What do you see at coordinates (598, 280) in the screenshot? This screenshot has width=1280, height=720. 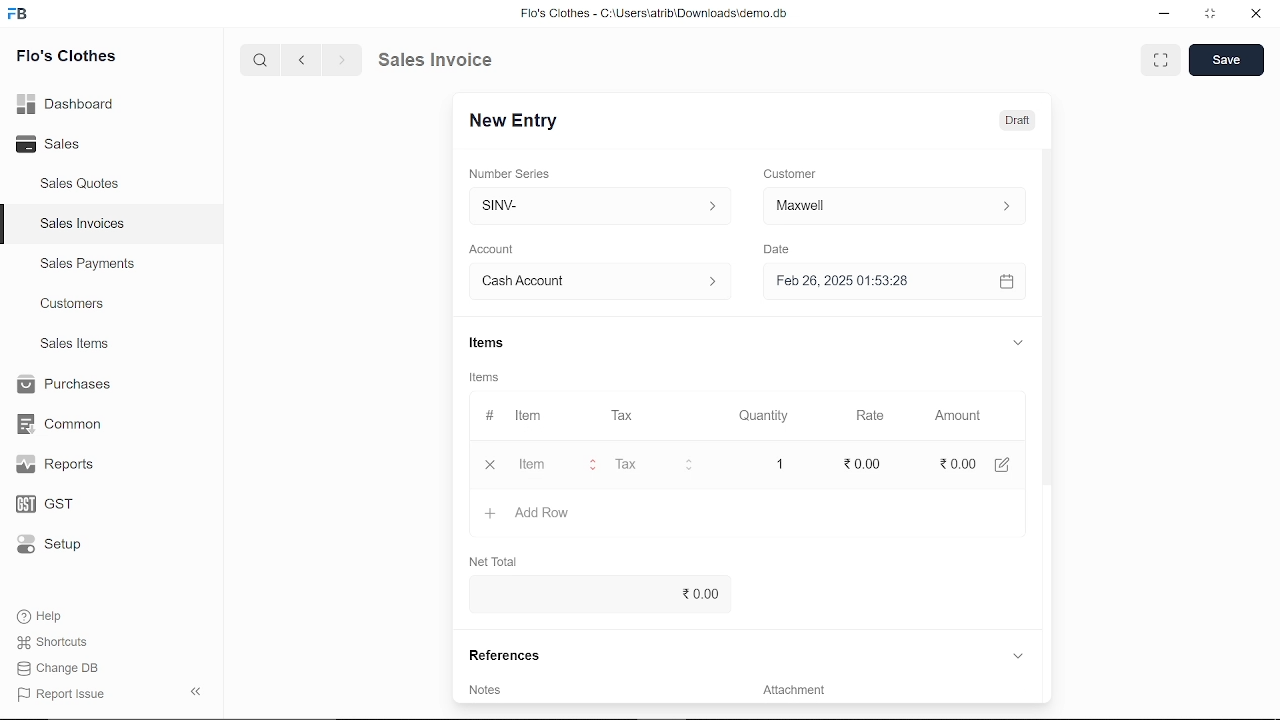 I see `Account :` at bounding box center [598, 280].